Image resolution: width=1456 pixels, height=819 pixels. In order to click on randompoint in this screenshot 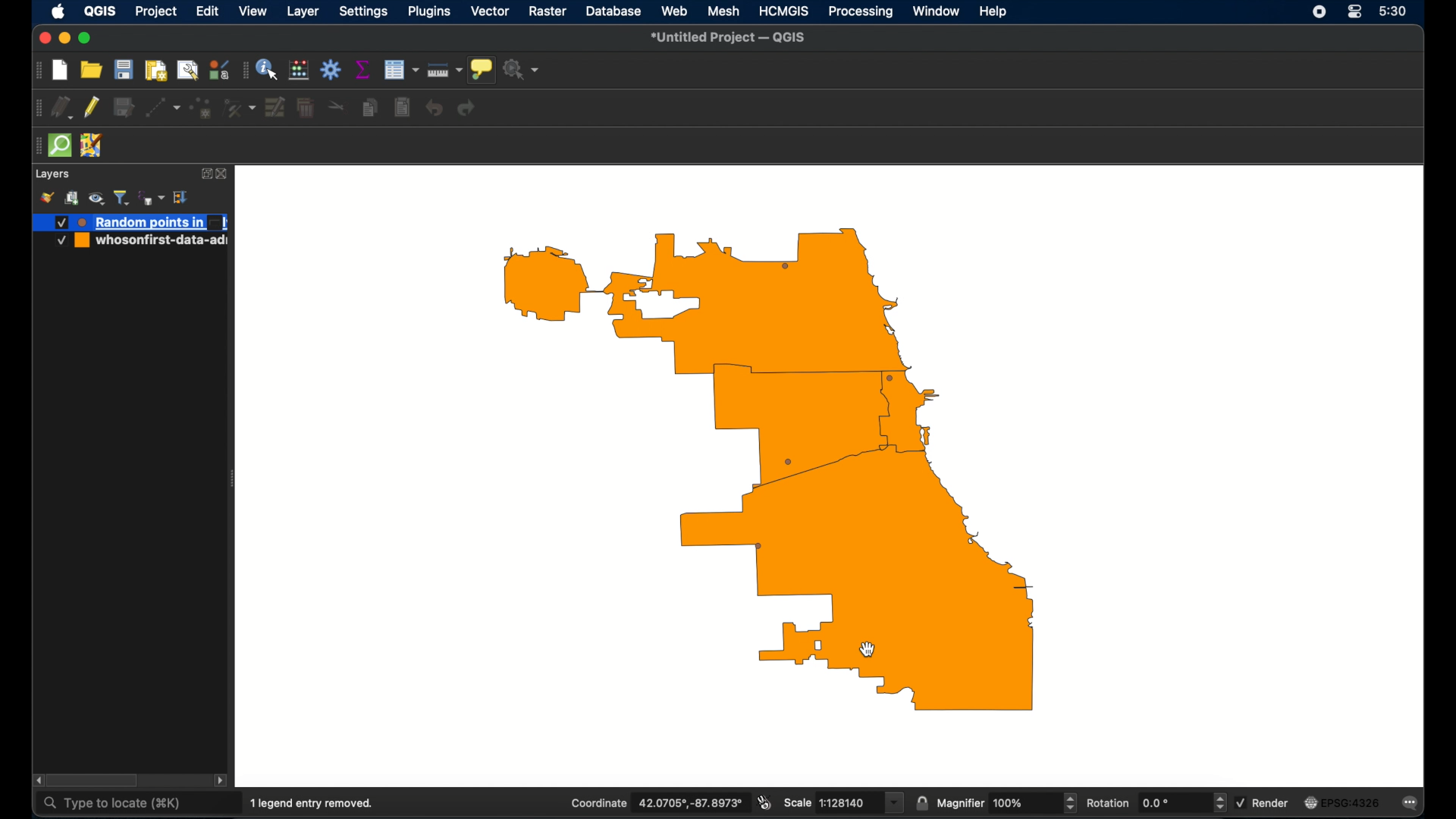, I will do `click(786, 266)`.